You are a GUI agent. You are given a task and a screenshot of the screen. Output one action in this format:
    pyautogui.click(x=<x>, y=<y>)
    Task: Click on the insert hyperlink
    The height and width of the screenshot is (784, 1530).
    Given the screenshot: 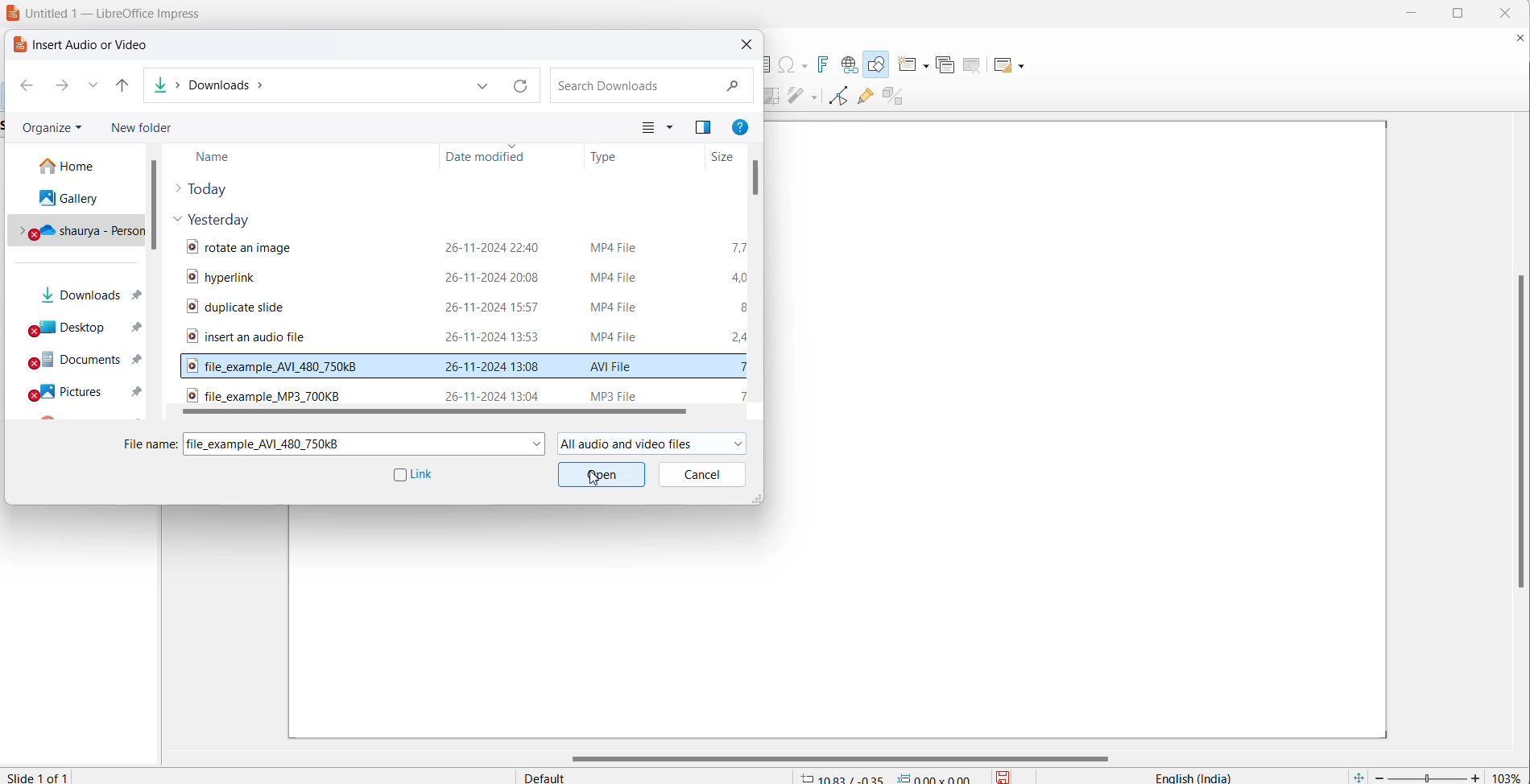 What is the action you would take?
    pyautogui.click(x=852, y=65)
    